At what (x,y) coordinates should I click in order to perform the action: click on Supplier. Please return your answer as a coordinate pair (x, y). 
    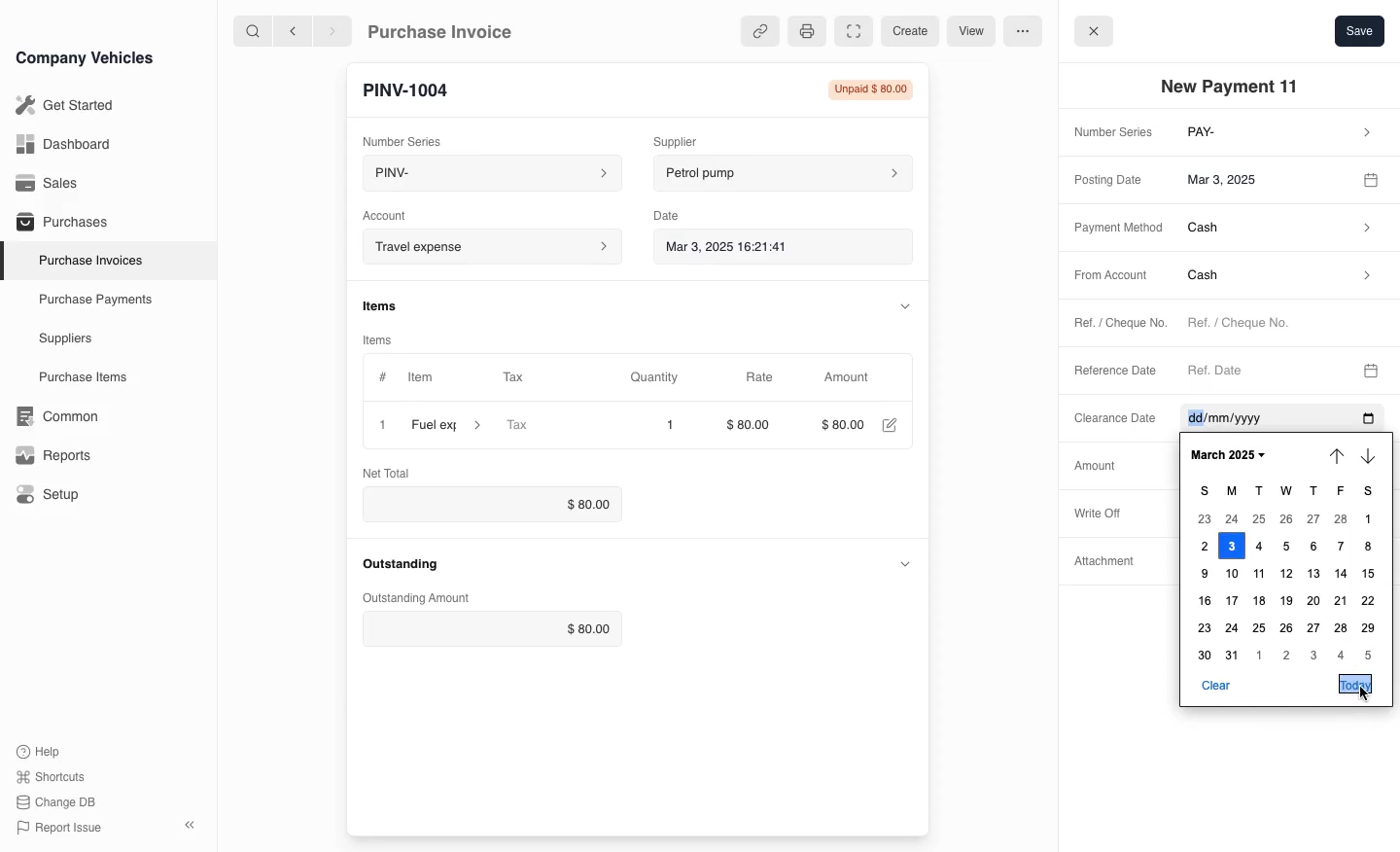
    Looking at the image, I should click on (695, 139).